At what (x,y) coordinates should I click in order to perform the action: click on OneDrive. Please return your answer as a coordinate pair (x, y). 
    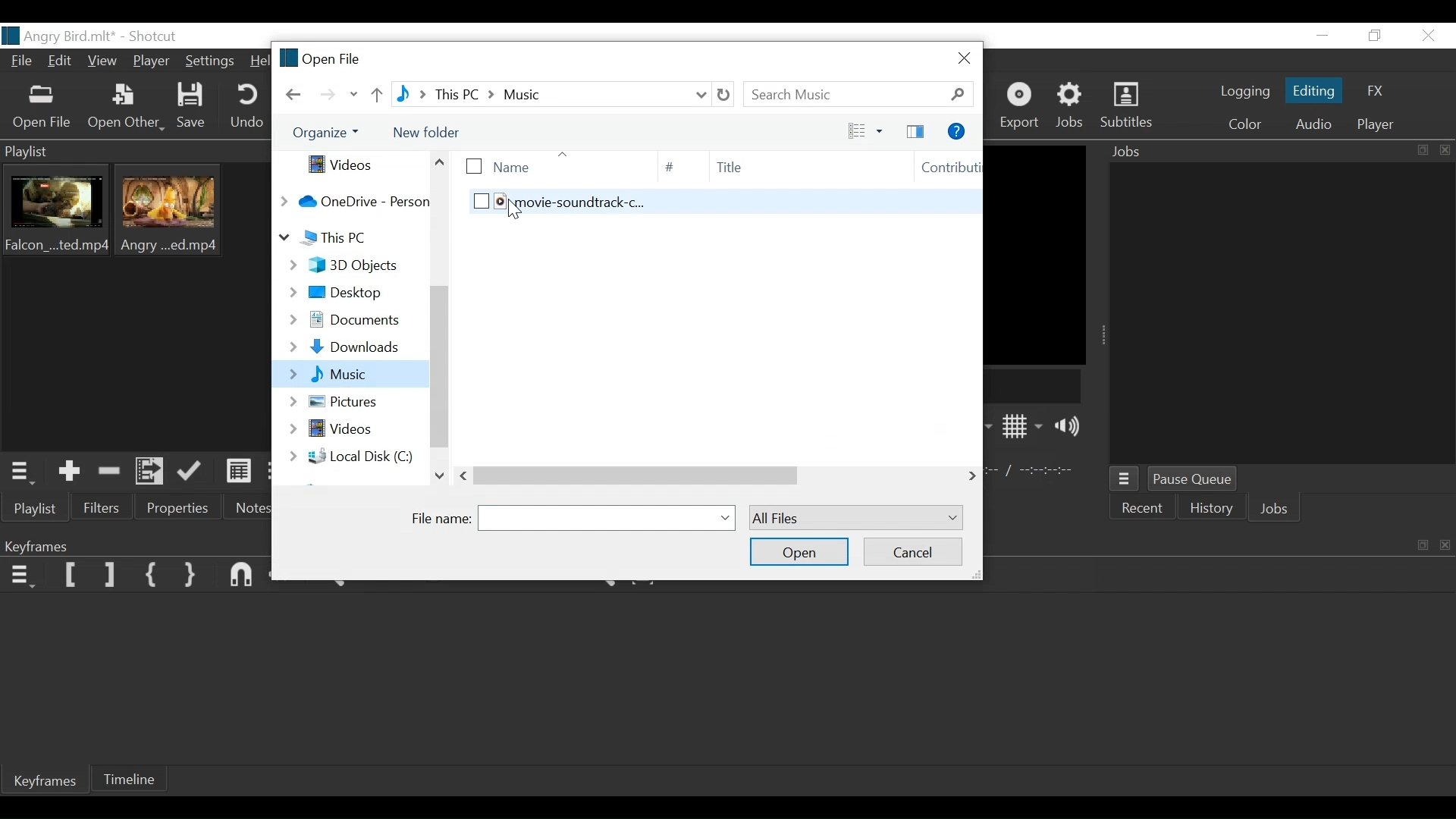
    Looking at the image, I should click on (353, 201).